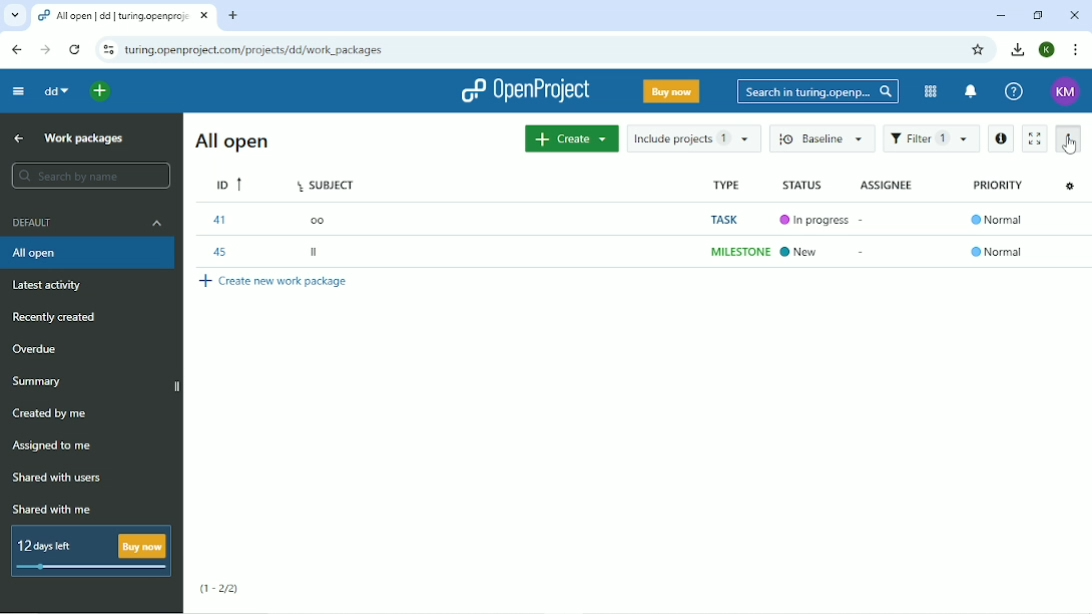 The image size is (1092, 614). What do you see at coordinates (53, 285) in the screenshot?
I see `Latest activity` at bounding box center [53, 285].